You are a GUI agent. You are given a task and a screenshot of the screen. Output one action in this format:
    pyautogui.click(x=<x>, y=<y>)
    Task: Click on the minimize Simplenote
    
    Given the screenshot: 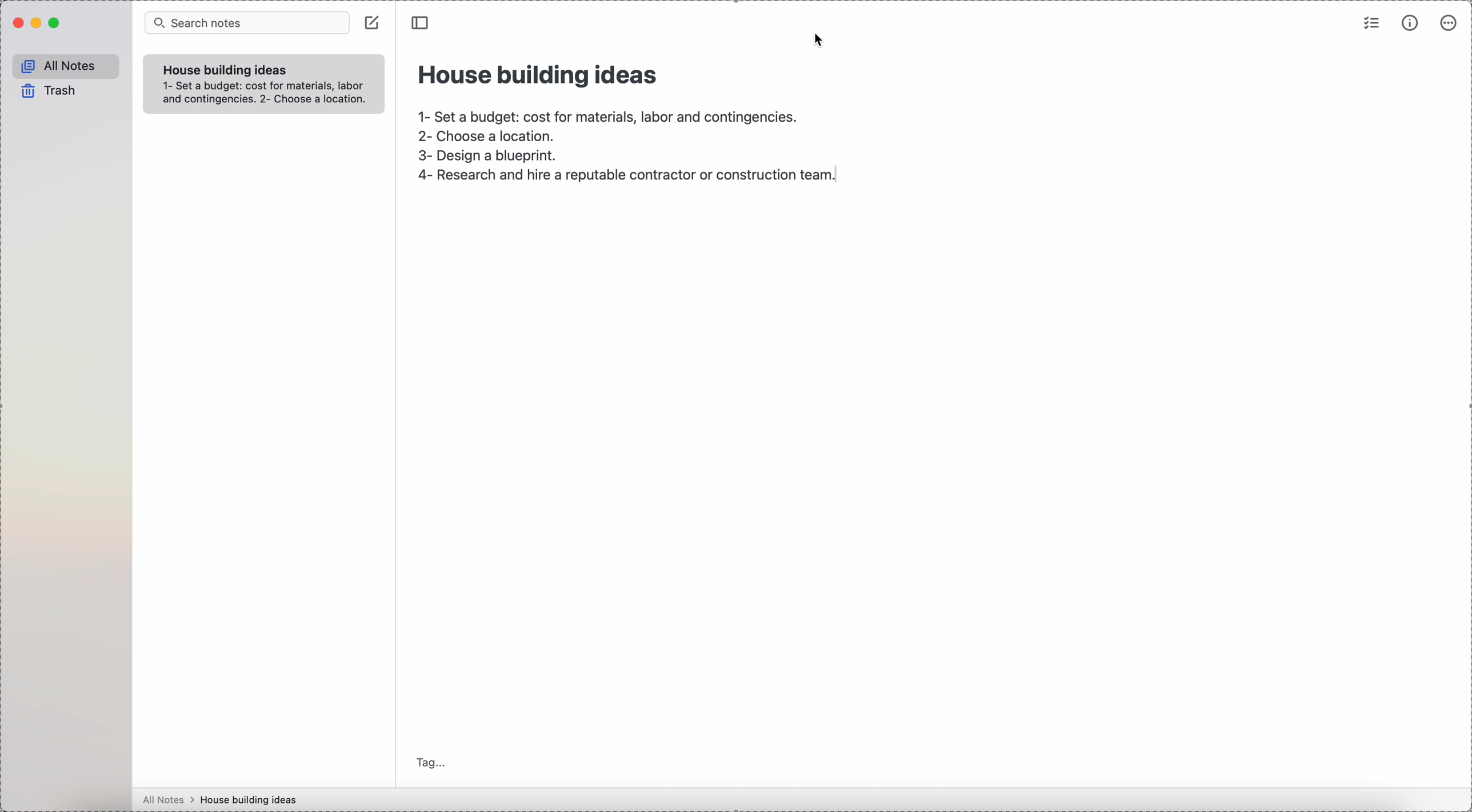 What is the action you would take?
    pyautogui.click(x=38, y=25)
    